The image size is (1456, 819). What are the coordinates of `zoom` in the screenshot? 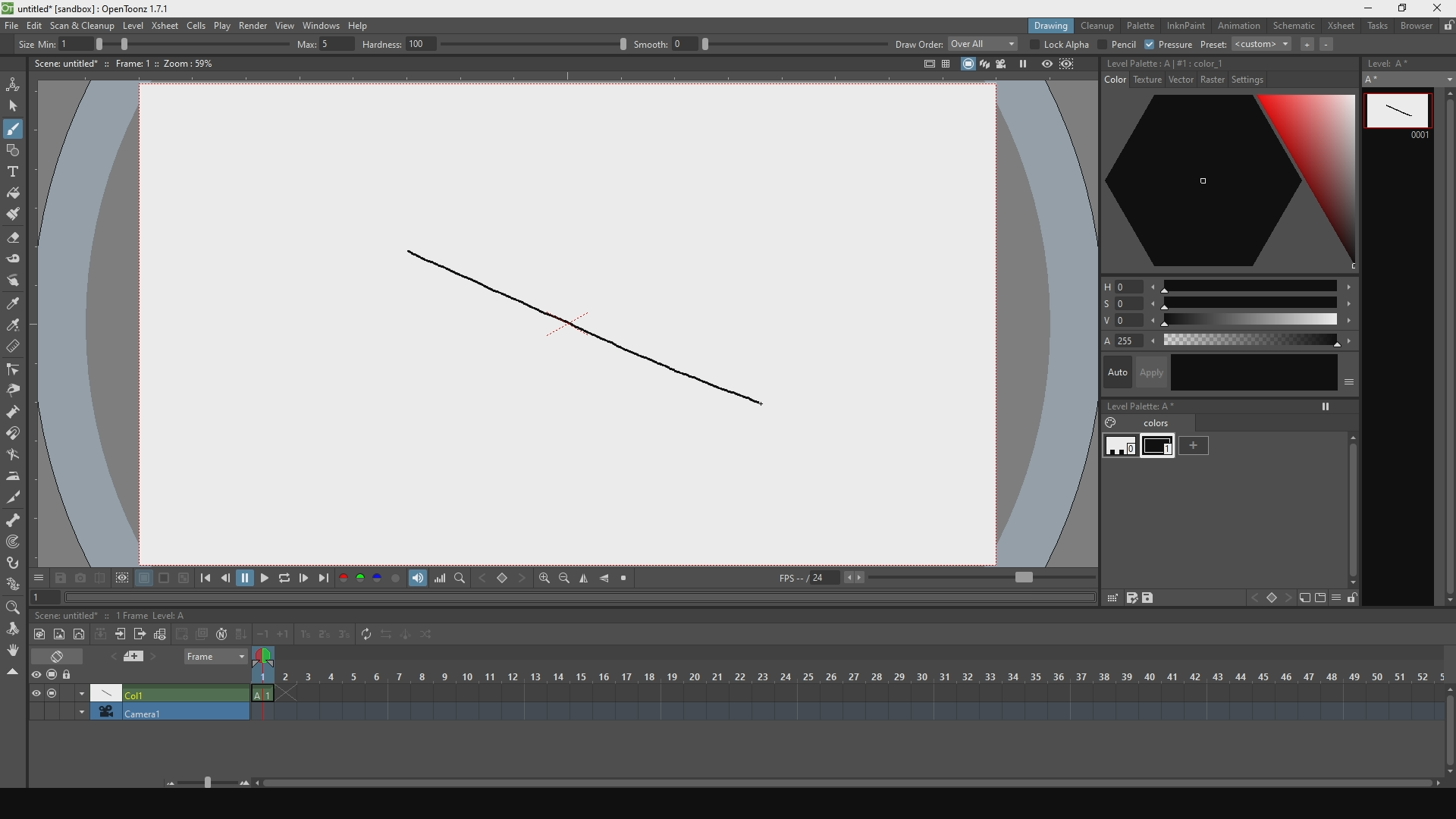 It's located at (14, 608).